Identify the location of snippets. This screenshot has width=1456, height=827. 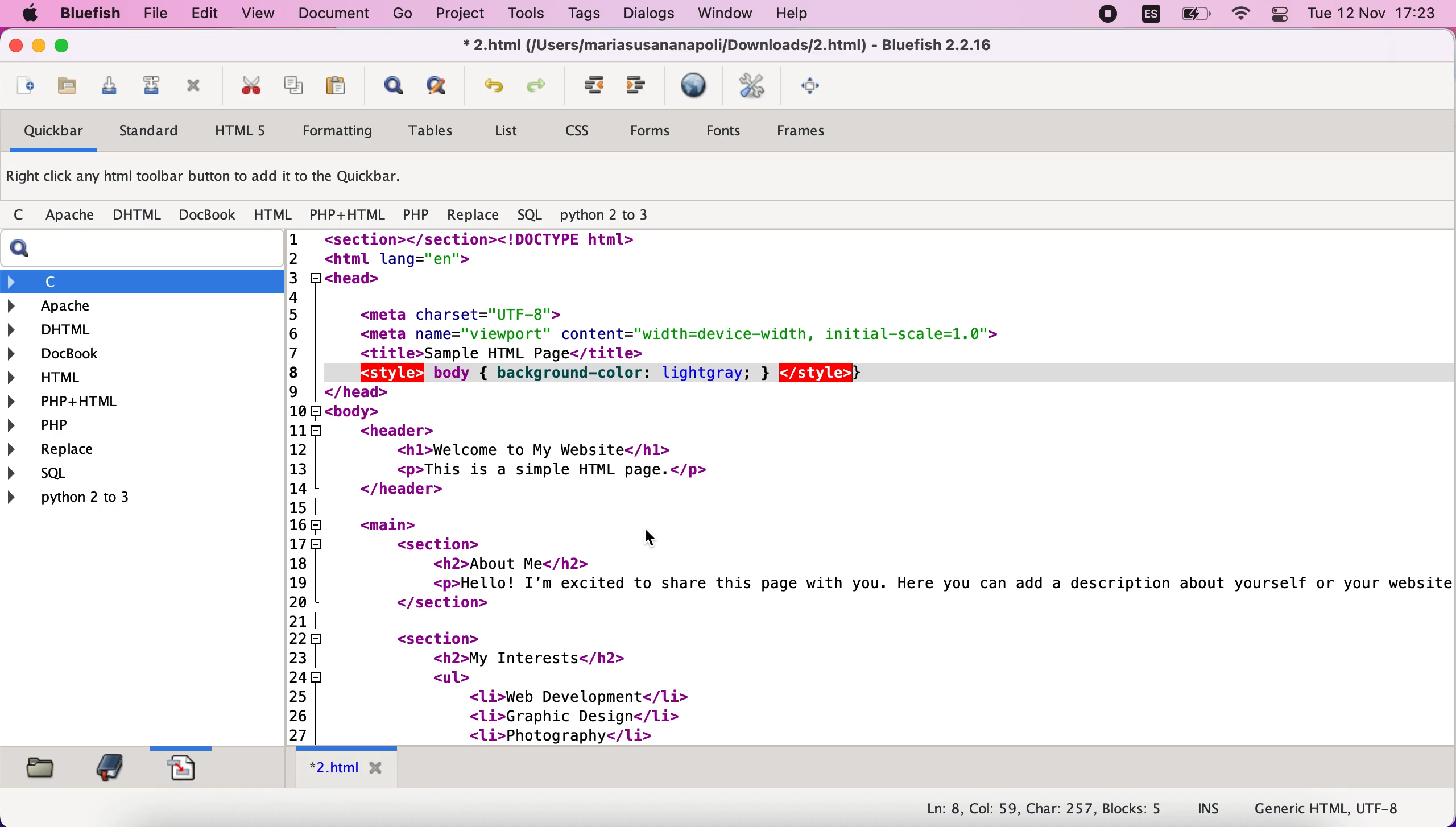
(193, 770).